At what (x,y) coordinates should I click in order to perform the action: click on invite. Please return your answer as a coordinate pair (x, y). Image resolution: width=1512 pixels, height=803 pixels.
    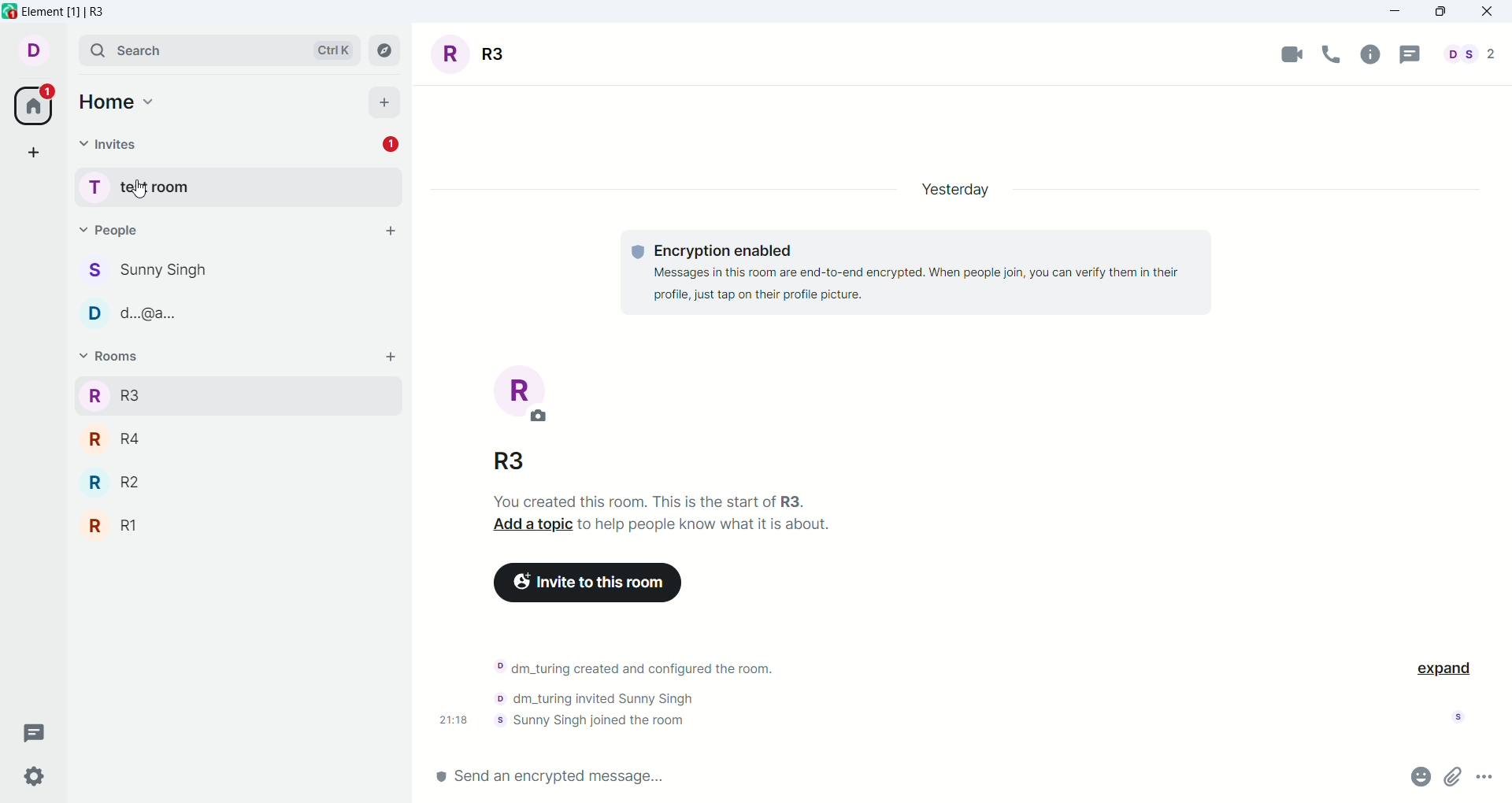
    Looking at the image, I should click on (110, 145).